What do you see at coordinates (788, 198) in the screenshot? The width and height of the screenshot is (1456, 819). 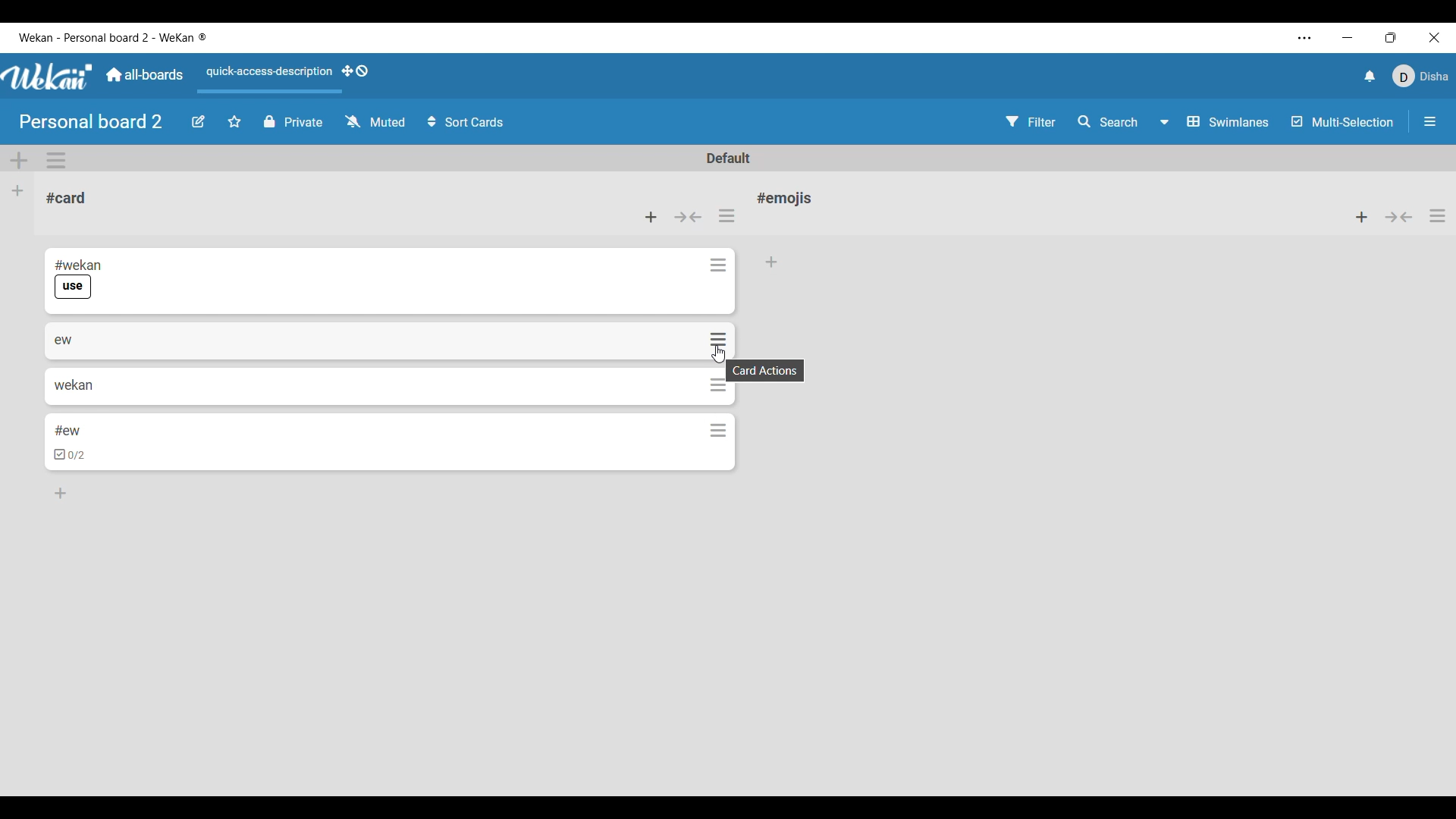 I see `Card name` at bounding box center [788, 198].